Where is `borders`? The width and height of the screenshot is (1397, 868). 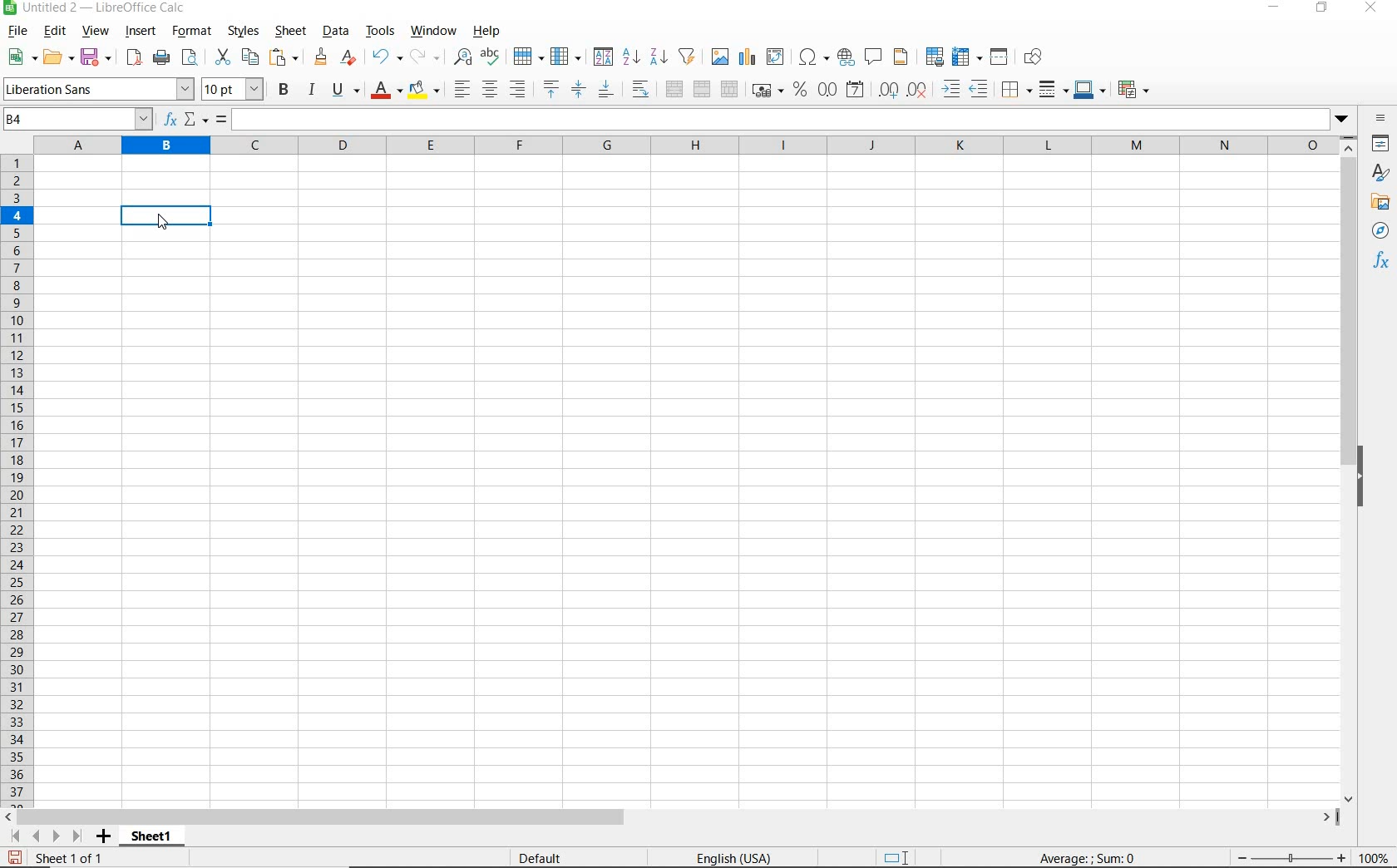 borders is located at coordinates (1015, 89).